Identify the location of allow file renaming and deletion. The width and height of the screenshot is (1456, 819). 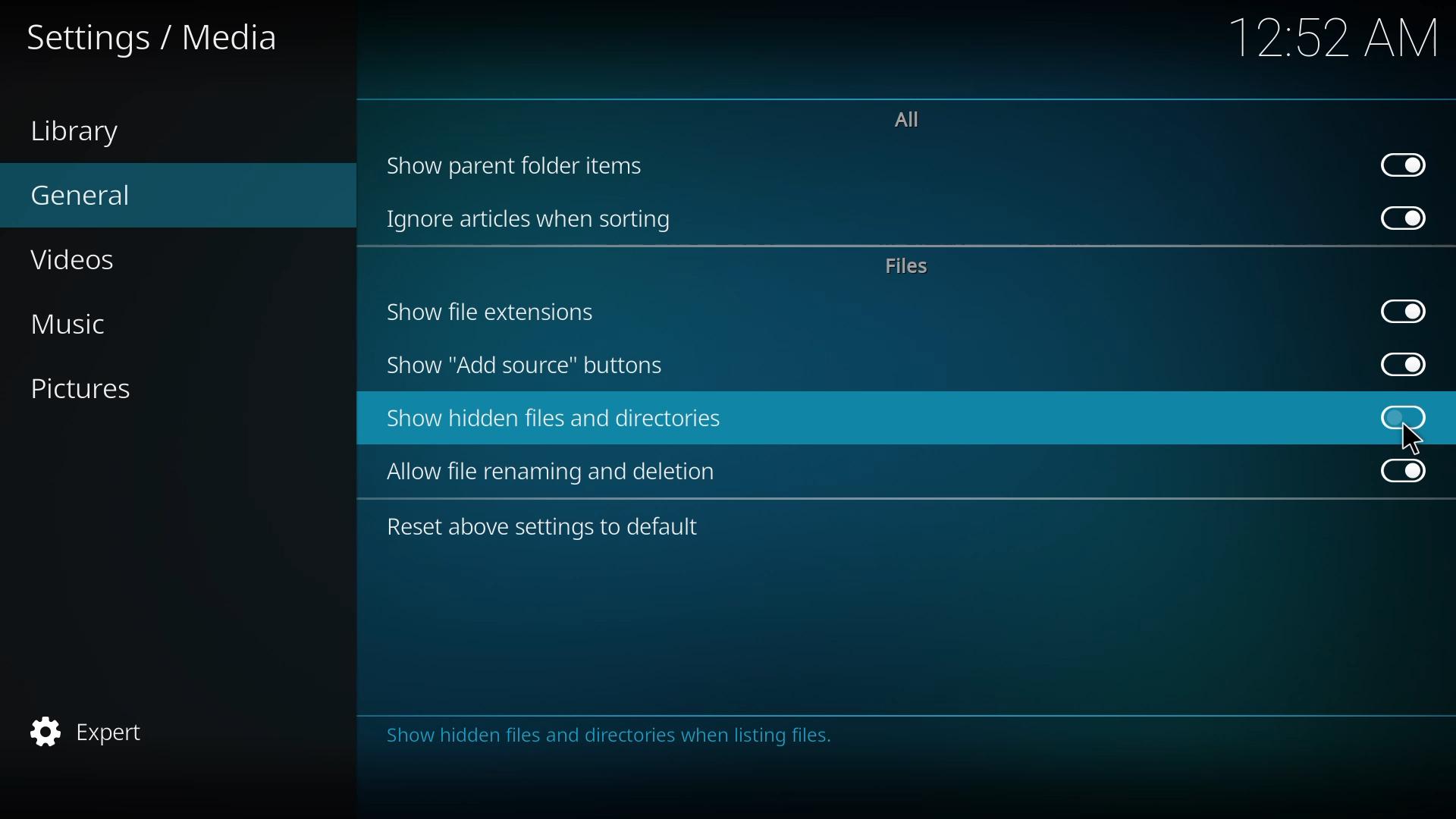
(561, 470).